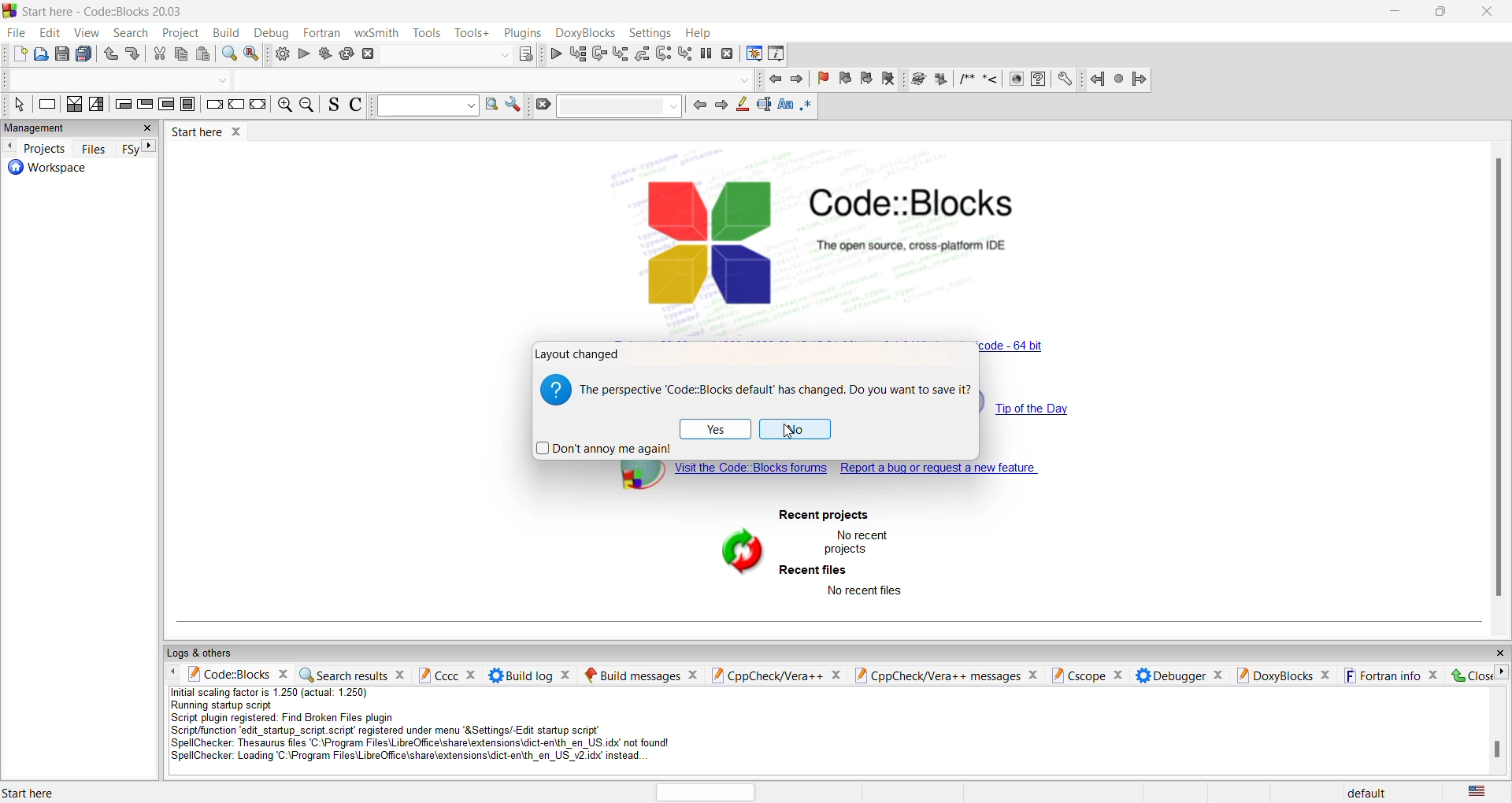 This screenshot has height=803, width=1512. Describe the element at coordinates (821, 78) in the screenshot. I see `bookmark` at that location.